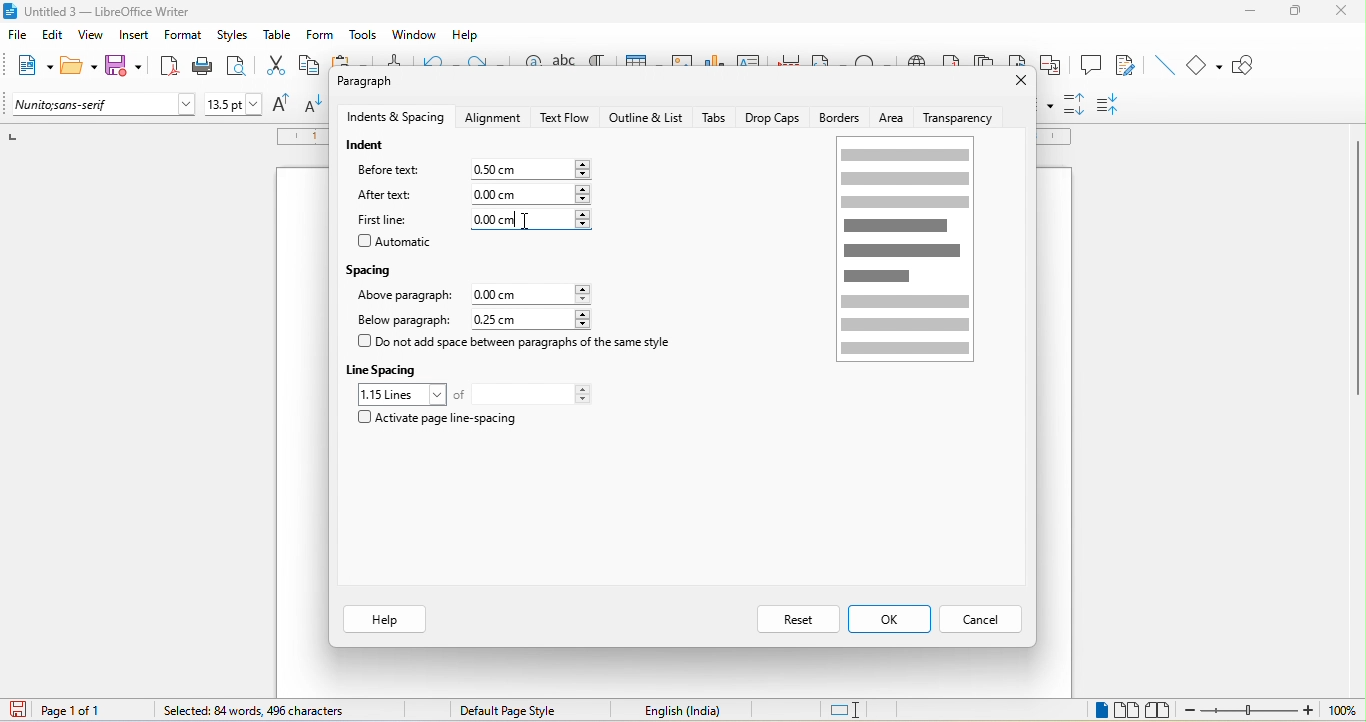  I want to click on page 1 of 1, so click(87, 710).